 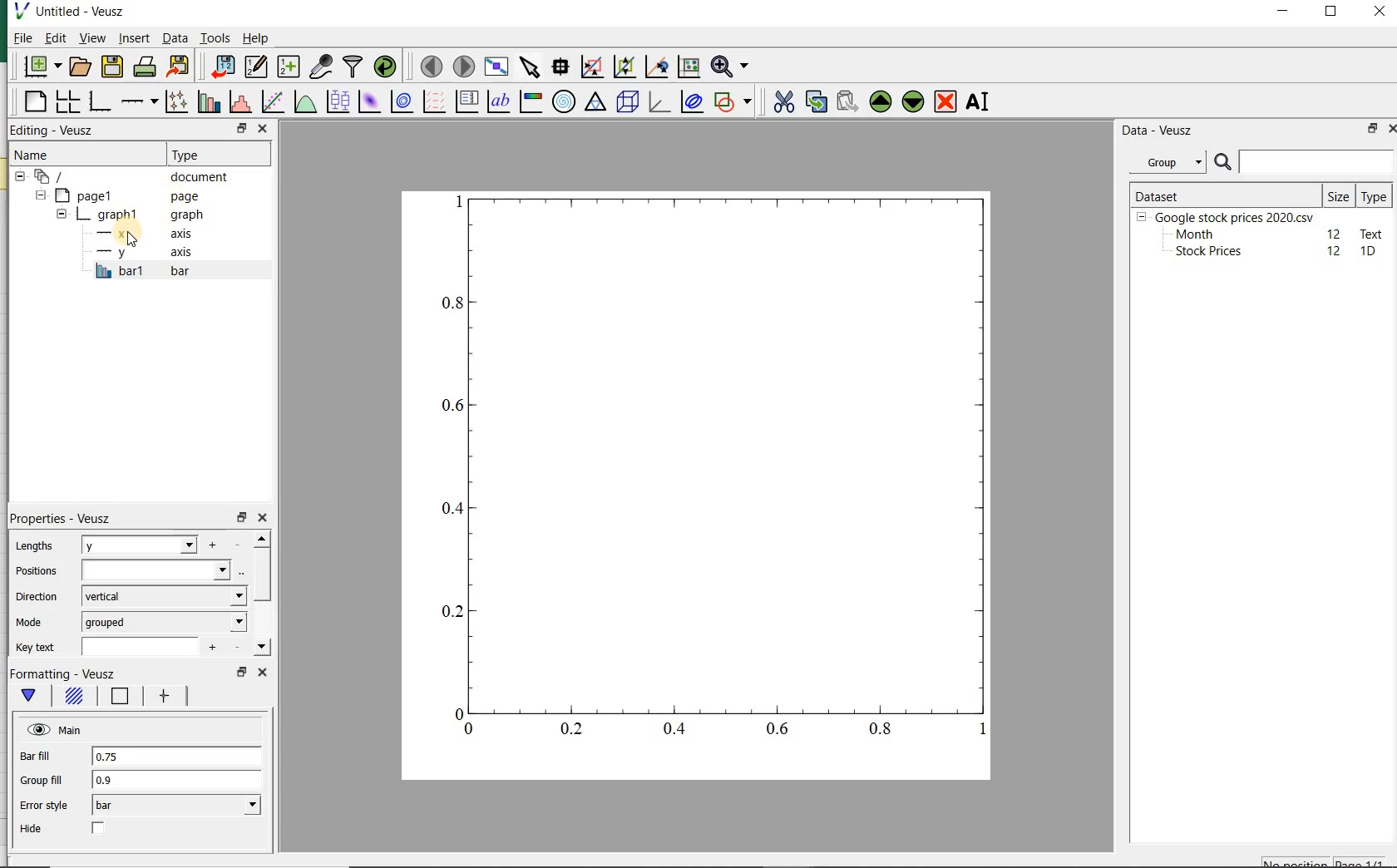 I want to click on Group fill, so click(x=42, y=782).